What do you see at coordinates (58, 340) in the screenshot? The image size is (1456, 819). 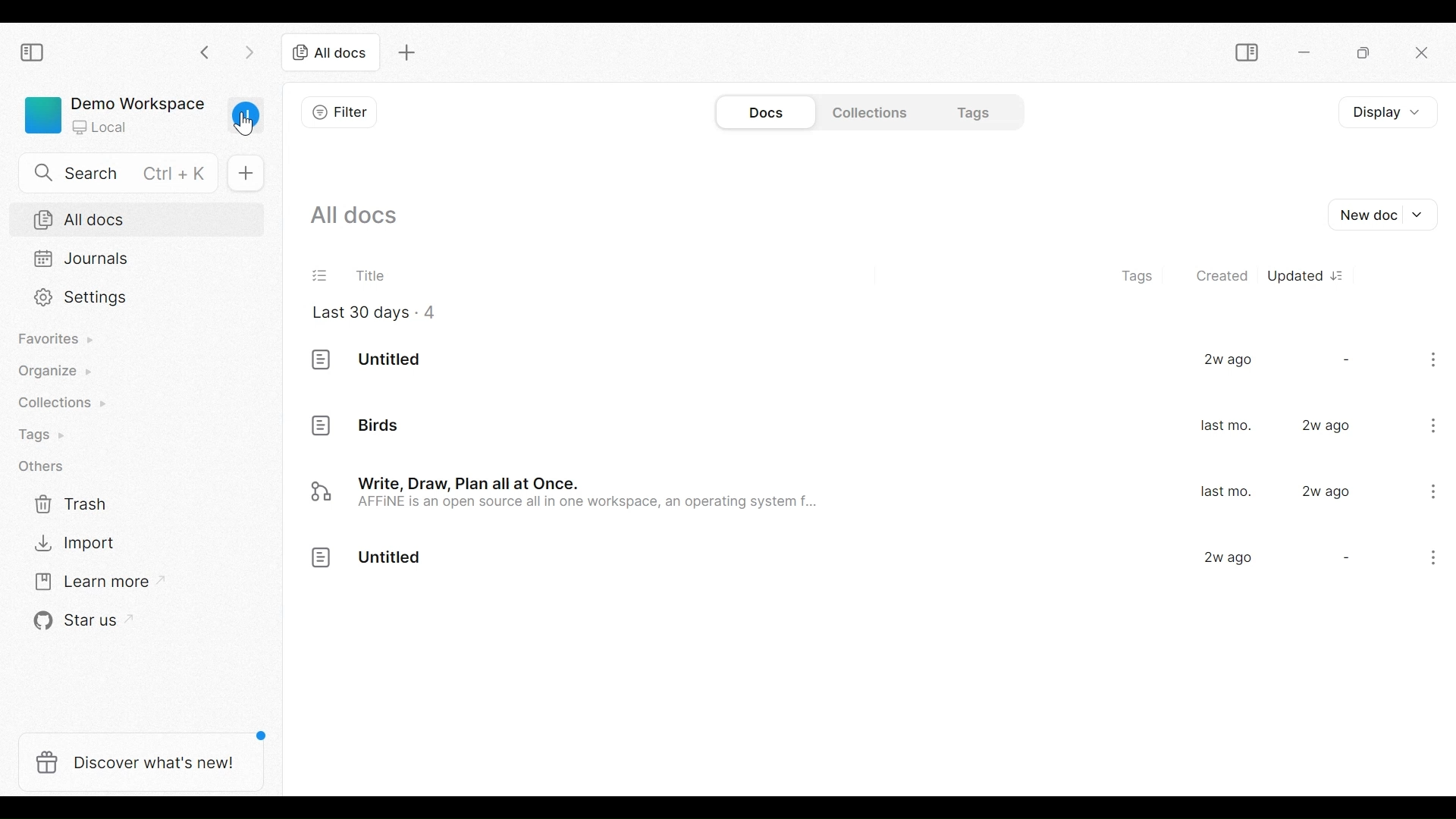 I see `Favorites` at bounding box center [58, 340].